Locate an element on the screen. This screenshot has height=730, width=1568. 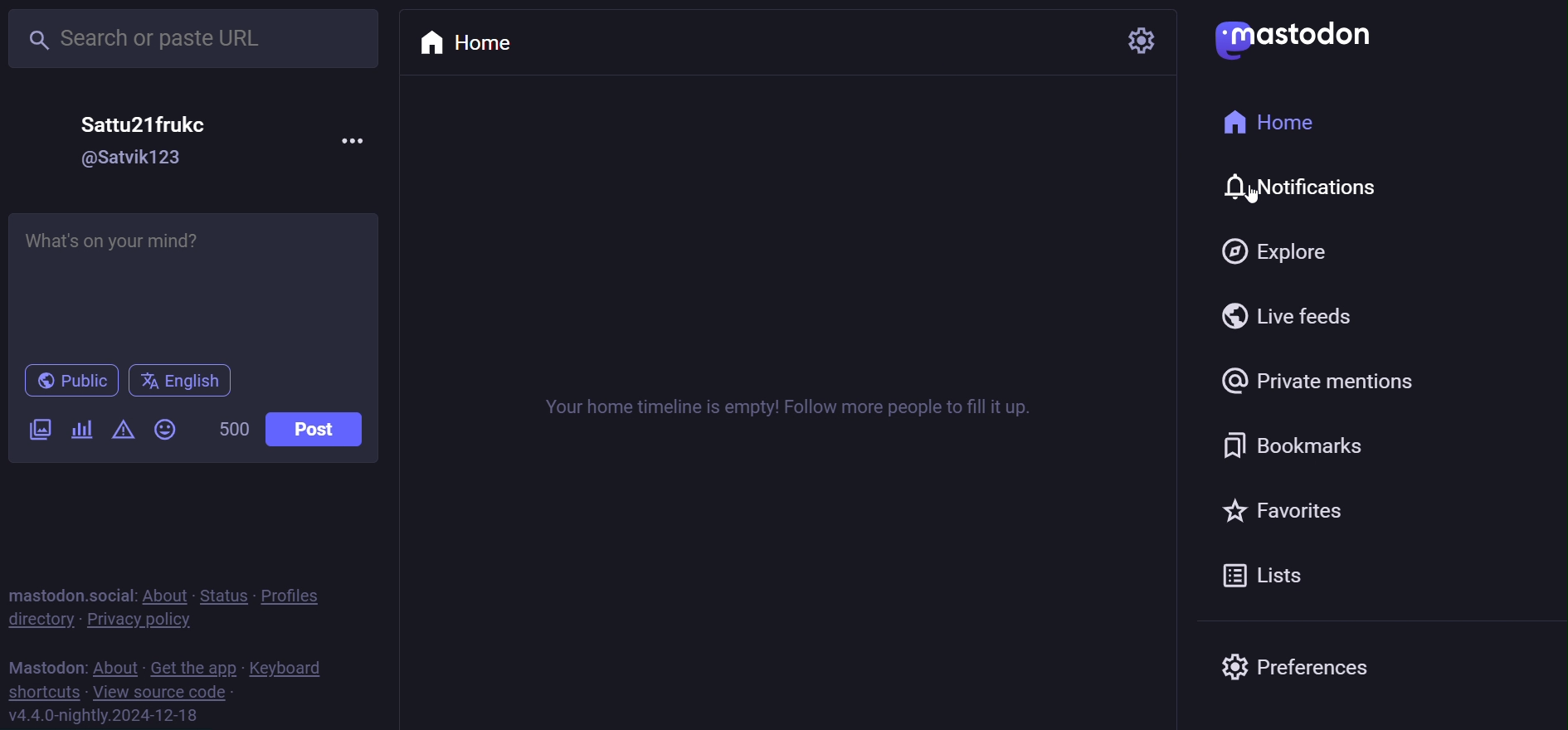
profiles is located at coordinates (302, 592).